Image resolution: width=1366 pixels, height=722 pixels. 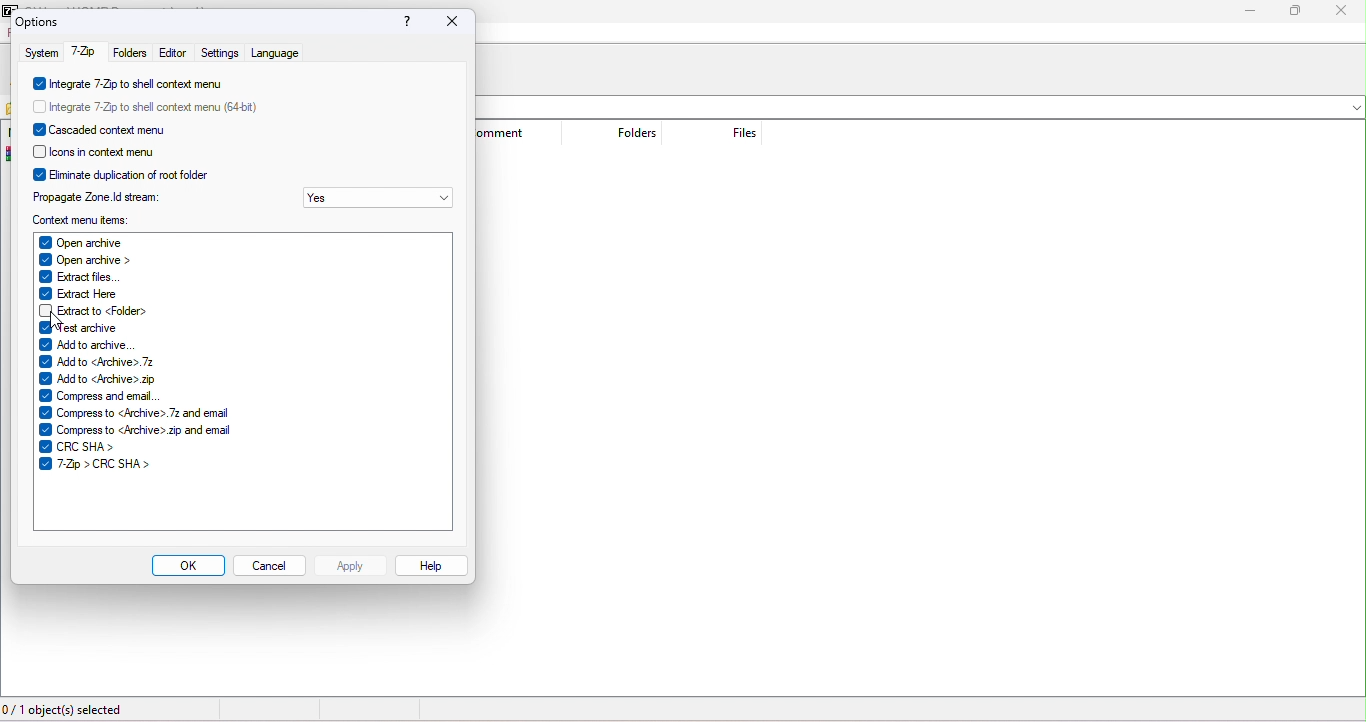 I want to click on add to archive, so click(x=88, y=344).